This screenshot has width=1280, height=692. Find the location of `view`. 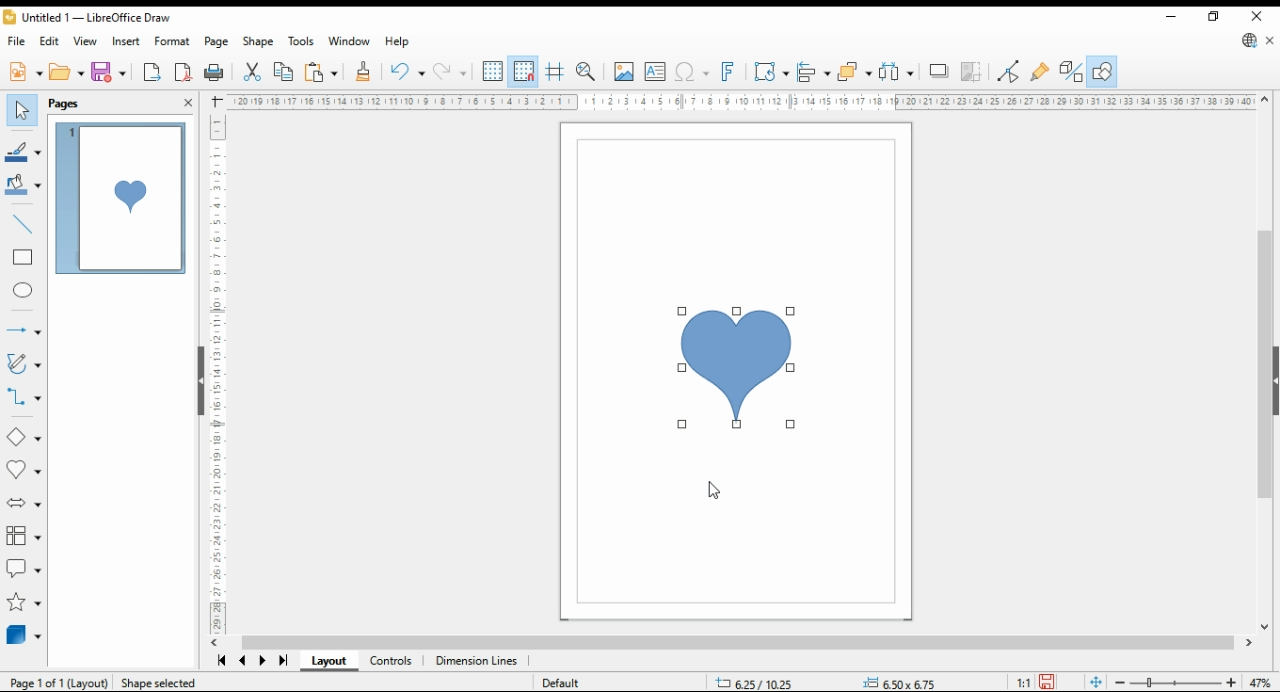

view is located at coordinates (86, 41).